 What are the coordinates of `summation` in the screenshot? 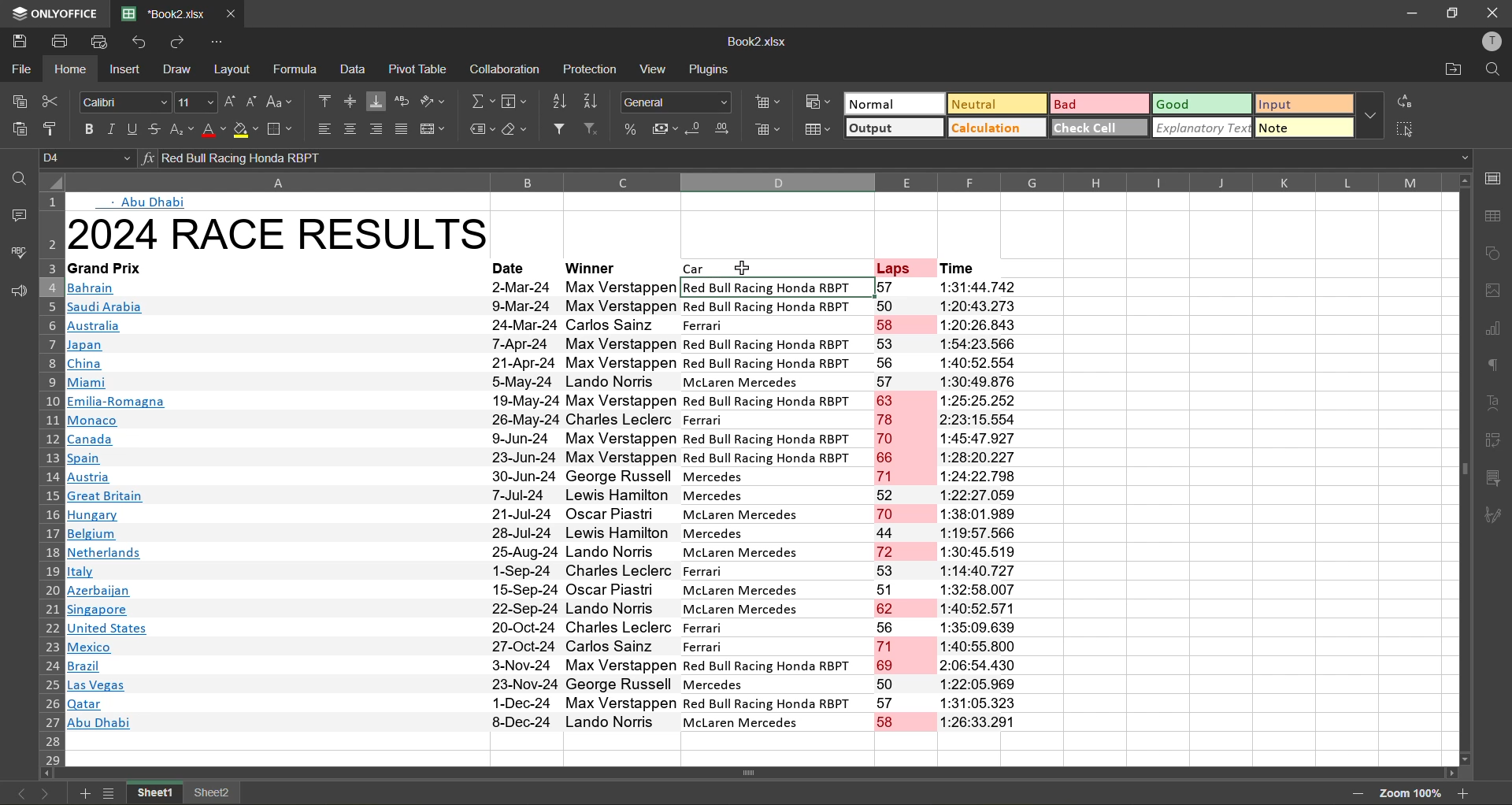 It's located at (480, 103).